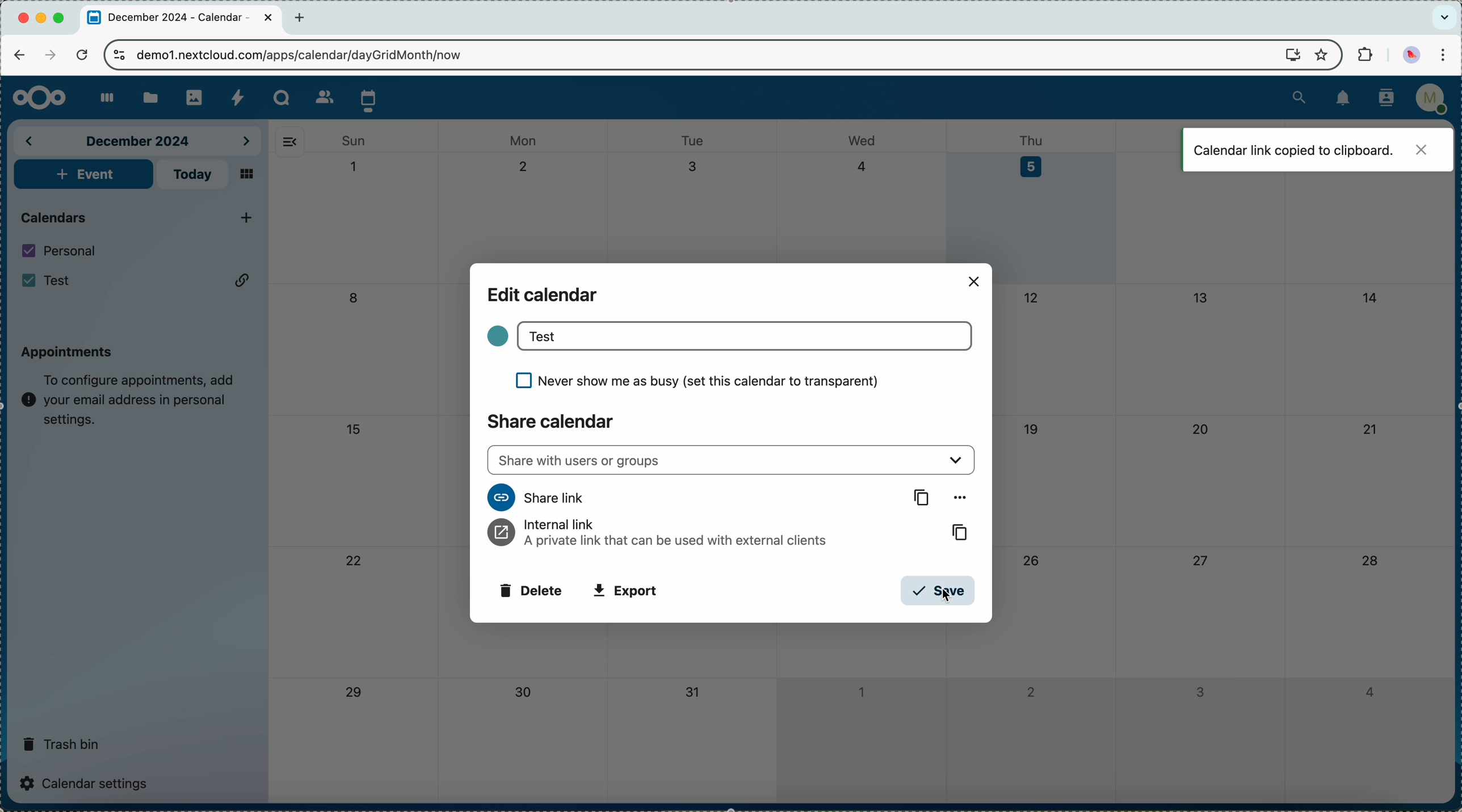  What do you see at coordinates (1368, 692) in the screenshot?
I see `4` at bounding box center [1368, 692].